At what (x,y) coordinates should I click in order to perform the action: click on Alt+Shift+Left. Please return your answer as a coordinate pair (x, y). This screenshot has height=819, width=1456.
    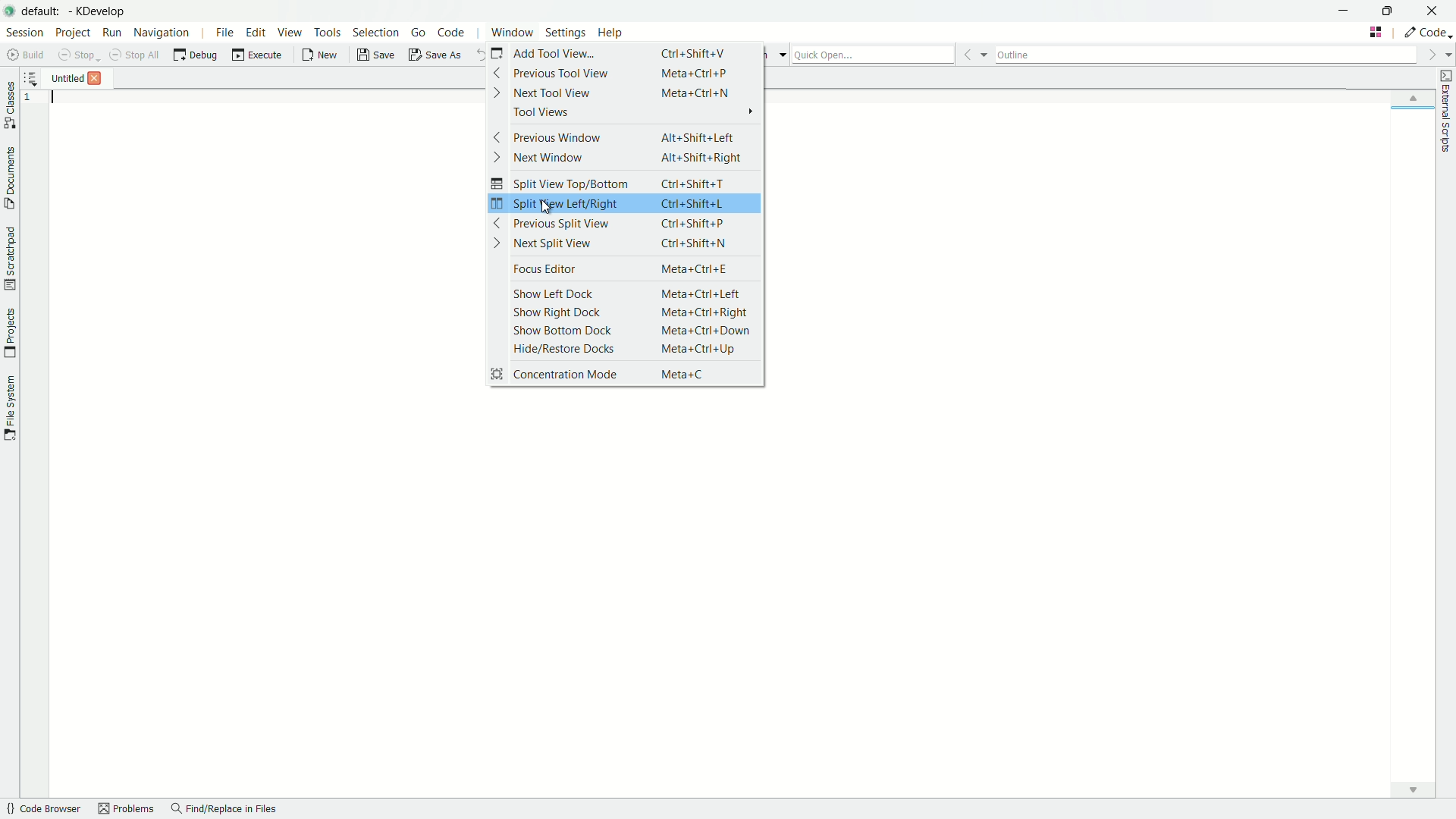
    Looking at the image, I should click on (701, 137).